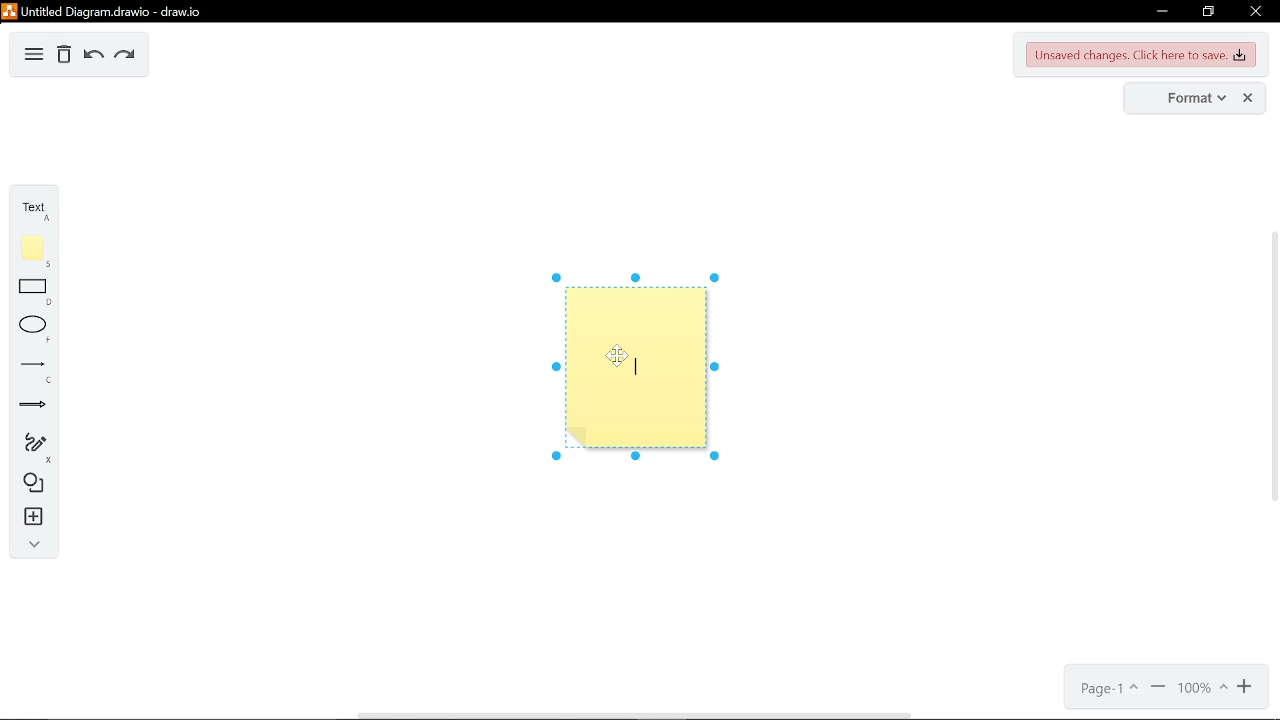 The image size is (1280, 720). I want to click on undo, so click(90, 56).